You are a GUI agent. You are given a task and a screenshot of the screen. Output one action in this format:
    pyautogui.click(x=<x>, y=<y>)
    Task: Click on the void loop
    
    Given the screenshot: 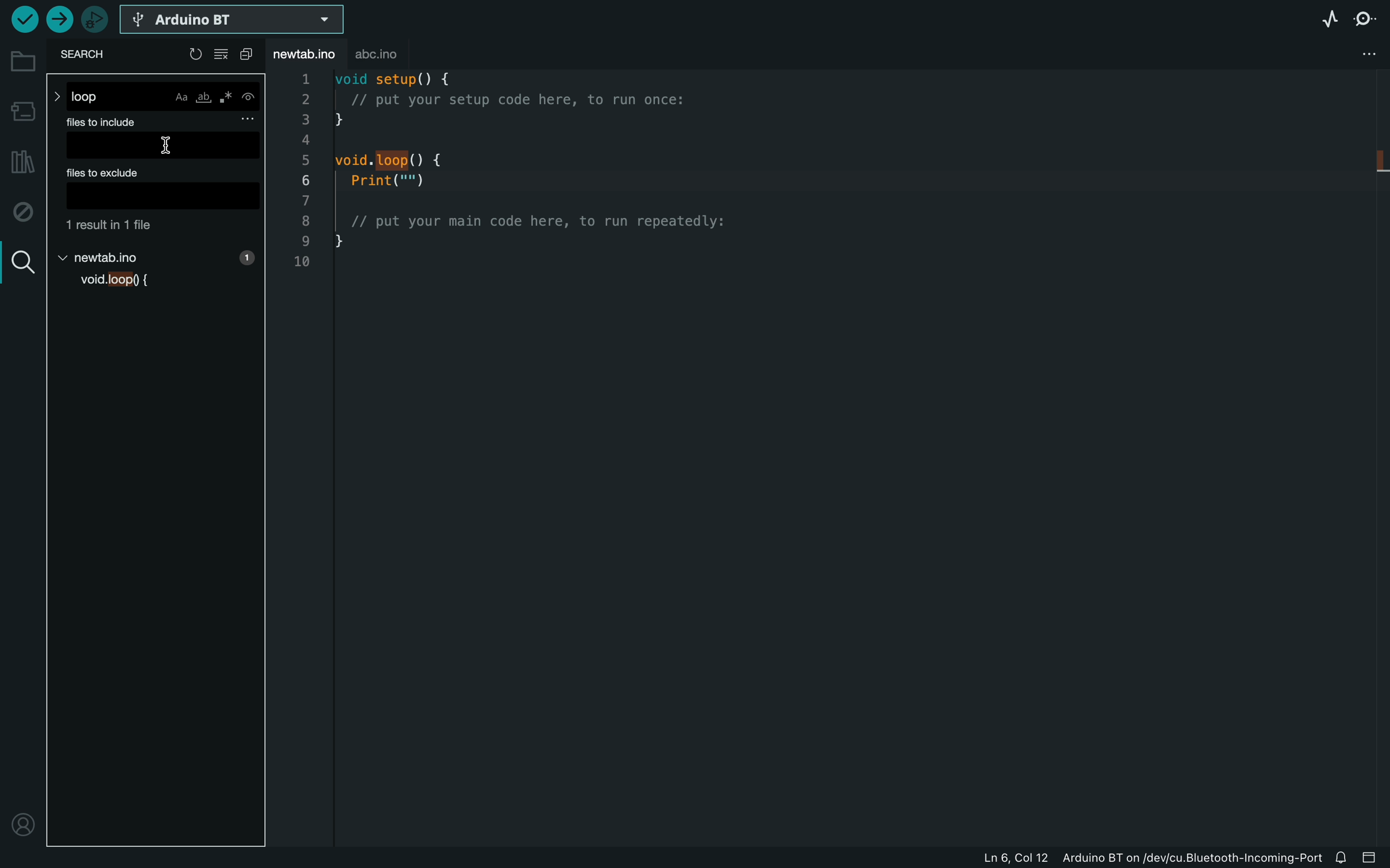 What is the action you would take?
    pyautogui.click(x=122, y=282)
    